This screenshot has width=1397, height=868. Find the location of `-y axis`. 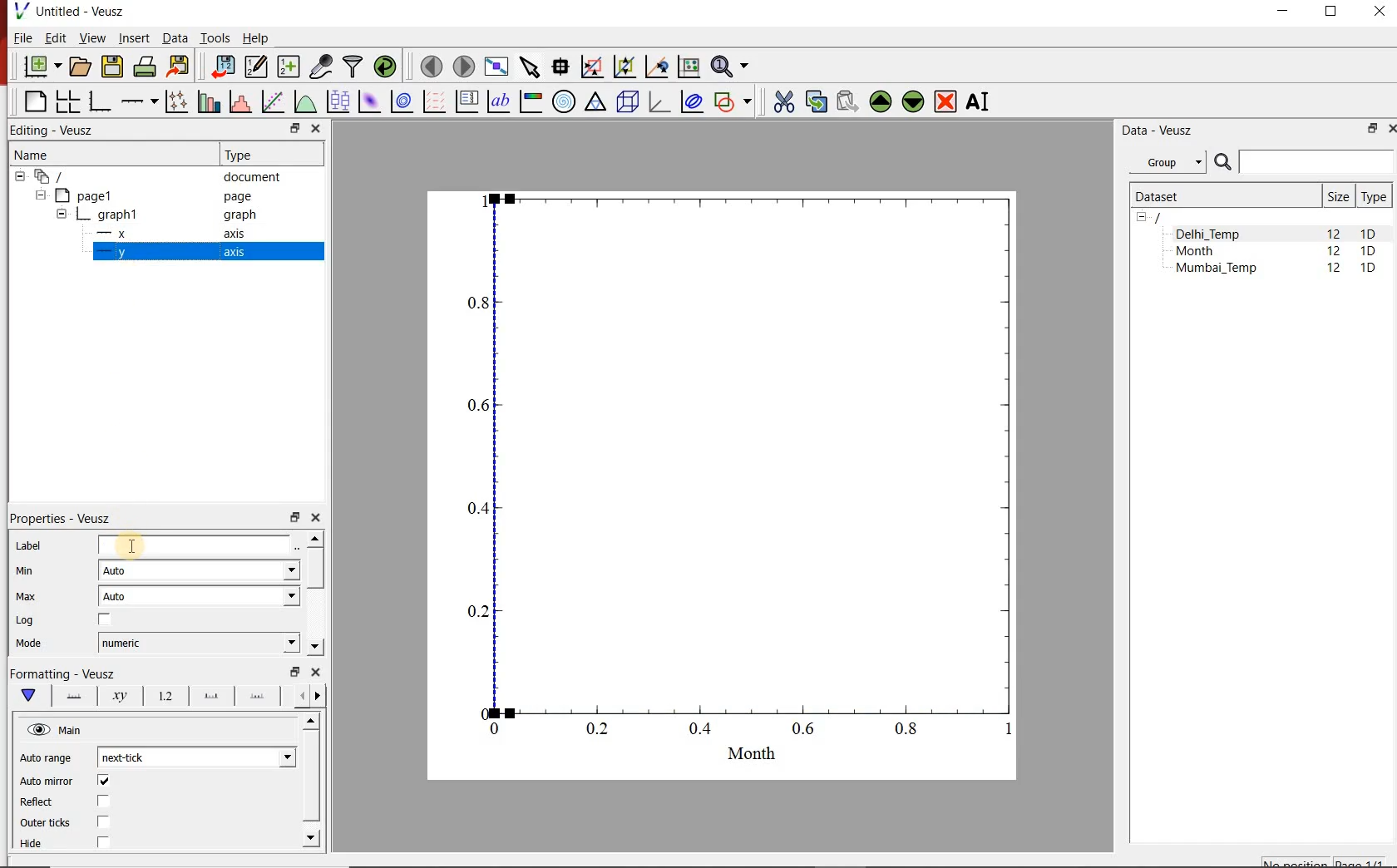

-y axis is located at coordinates (164, 254).